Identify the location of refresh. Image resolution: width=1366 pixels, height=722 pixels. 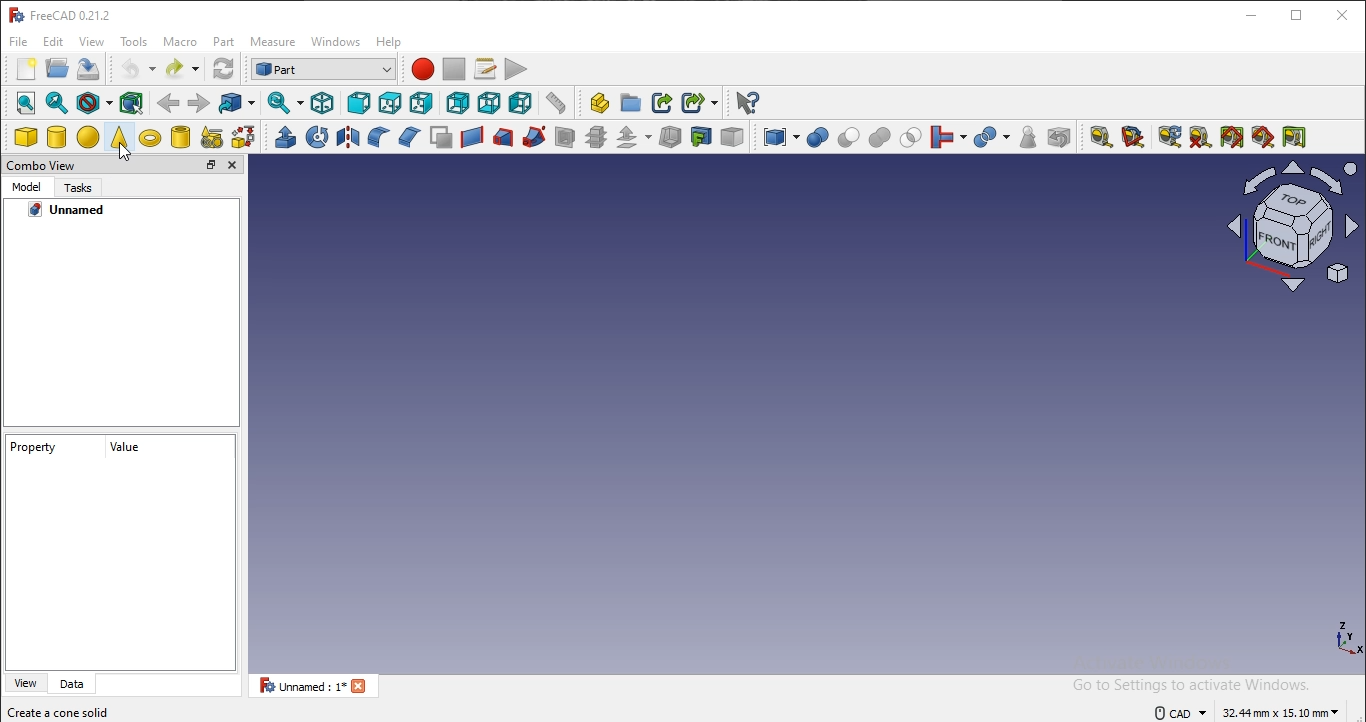
(1169, 136).